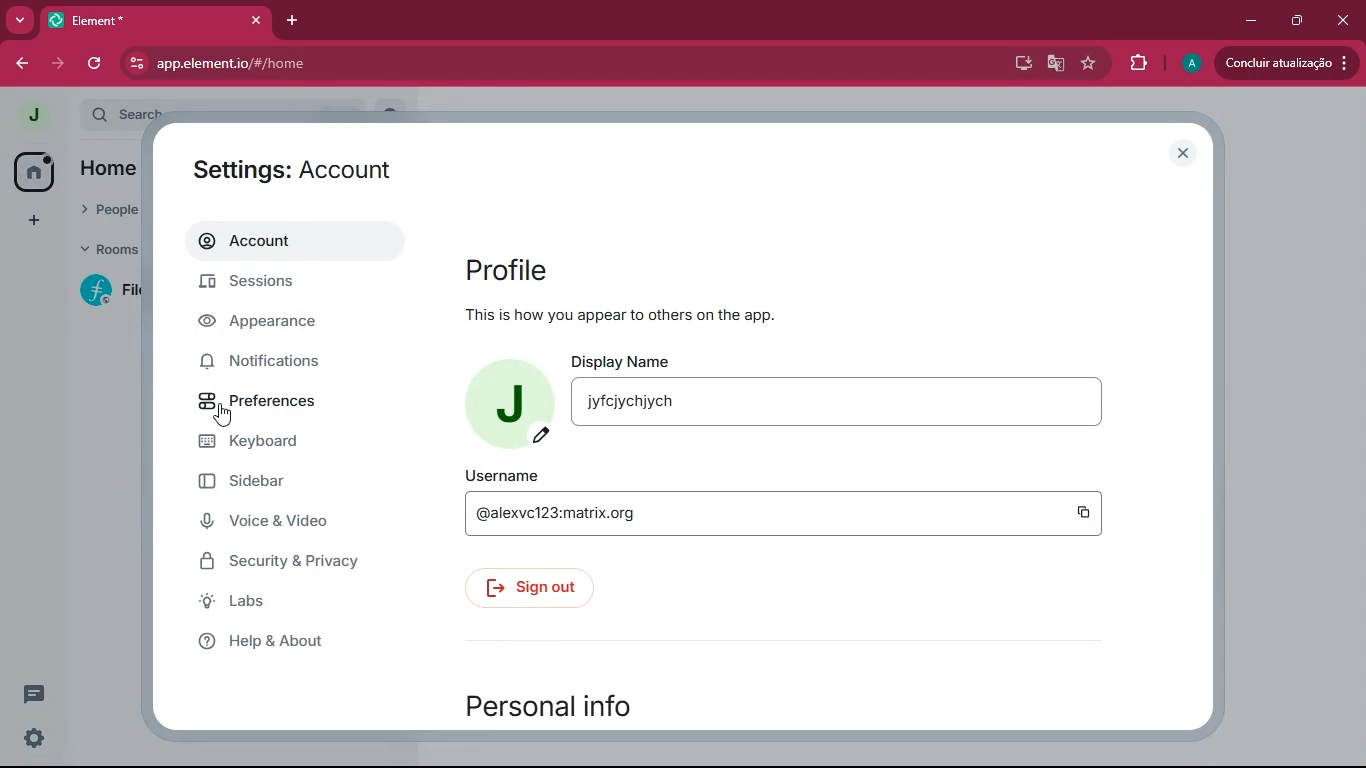  I want to click on add tab, so click(292, 21).